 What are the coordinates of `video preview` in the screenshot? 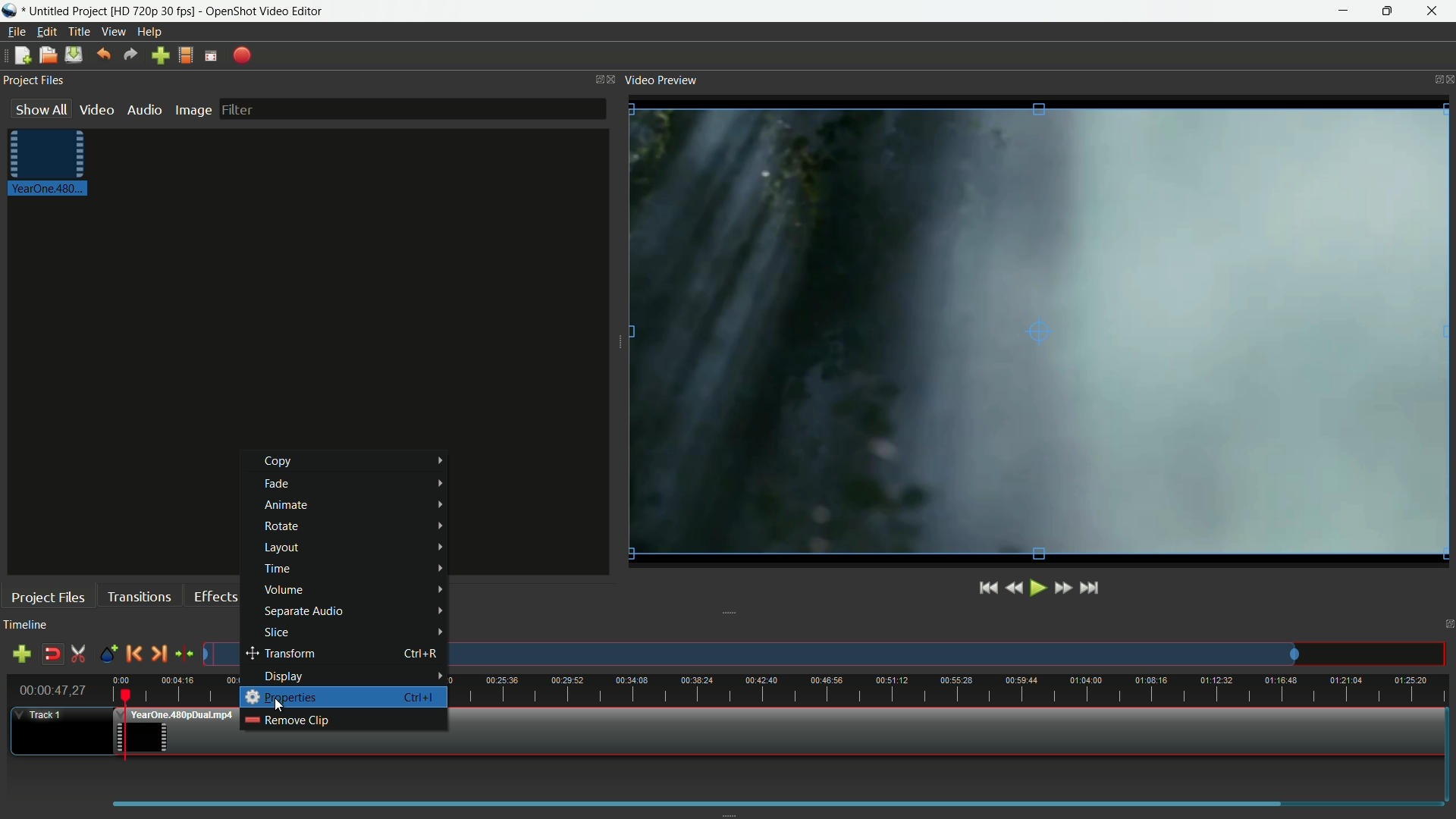 It's located at (1038, 329).